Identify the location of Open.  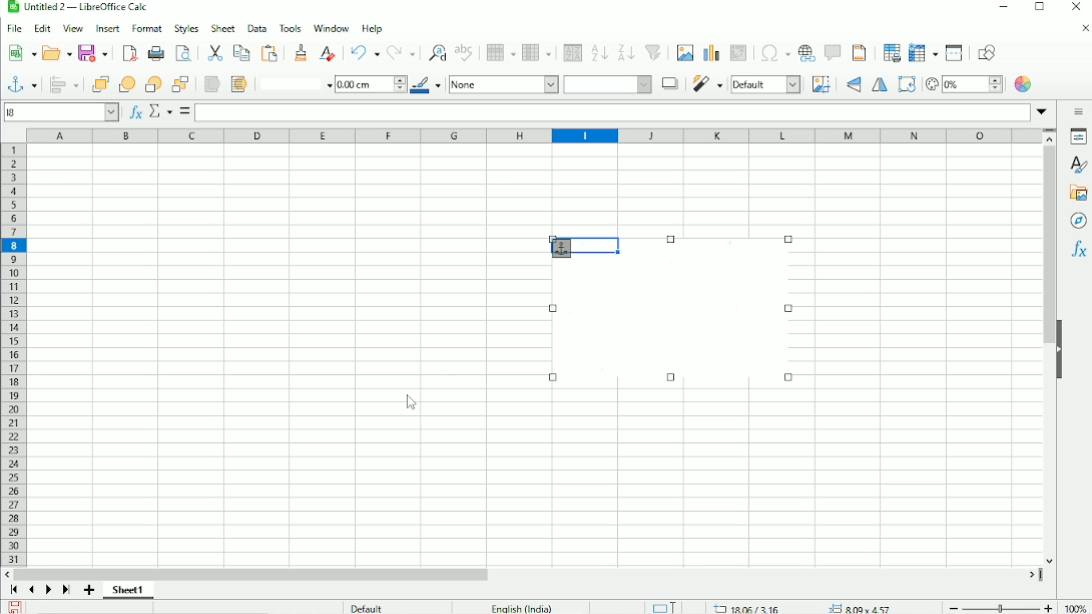
(55, 52).